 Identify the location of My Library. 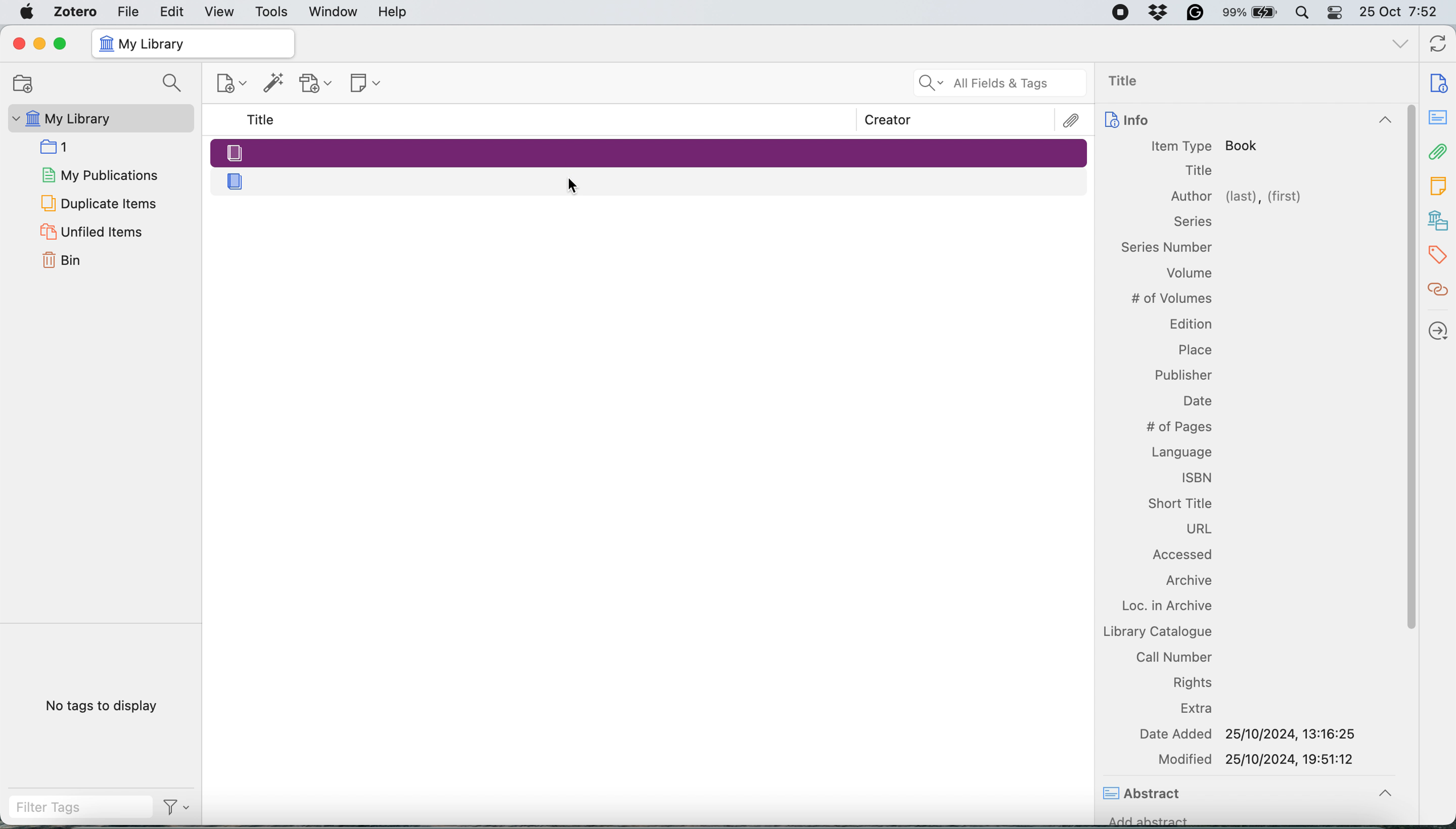
(99, 118).